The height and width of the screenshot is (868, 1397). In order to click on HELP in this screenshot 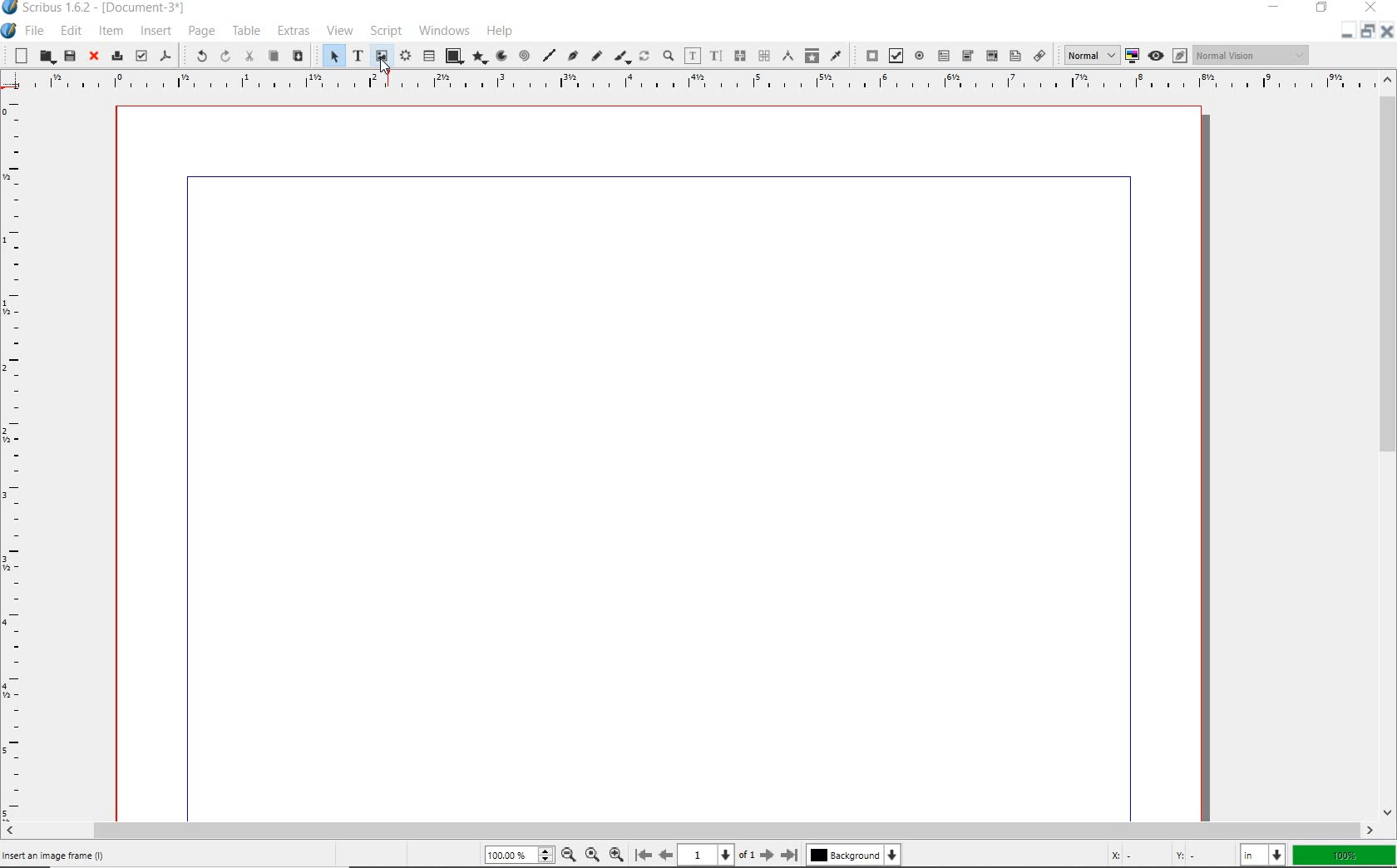, I will do `click(501, 31)`.